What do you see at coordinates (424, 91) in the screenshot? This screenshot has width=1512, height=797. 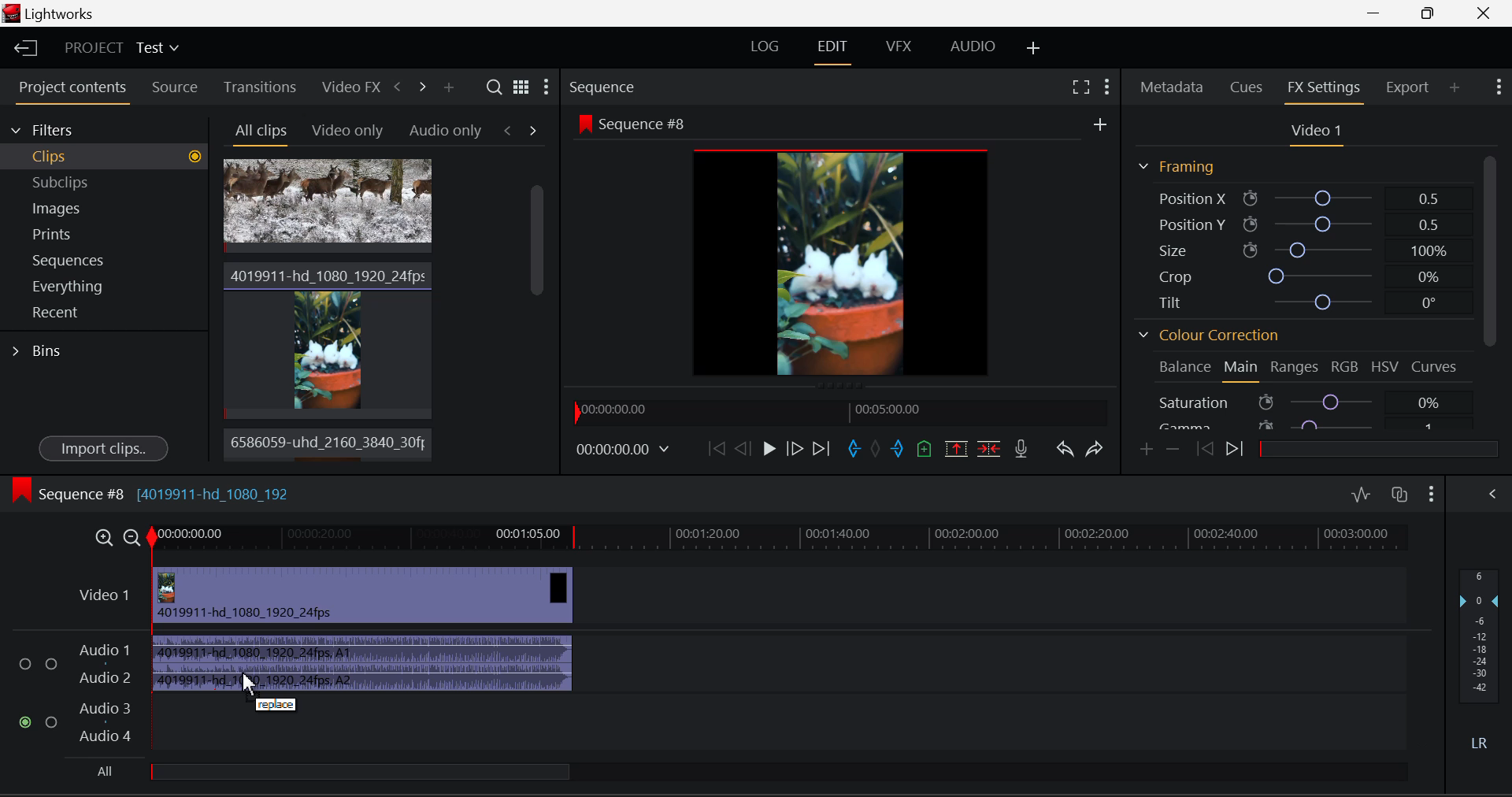 I see `Next Panel` at bounding box center [424, 91].